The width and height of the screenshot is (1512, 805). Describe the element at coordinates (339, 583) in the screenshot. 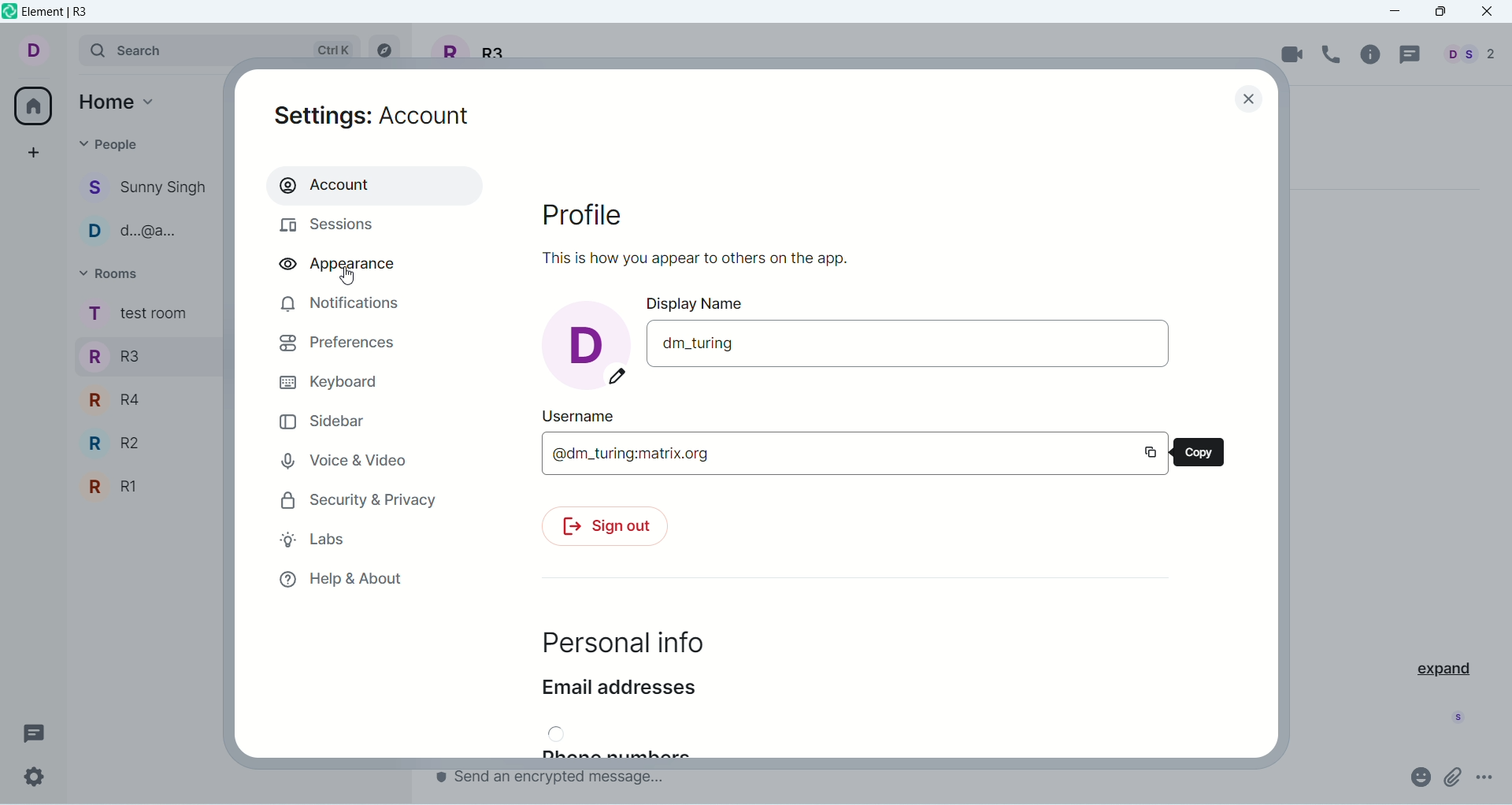

I see `help & about` at that location.